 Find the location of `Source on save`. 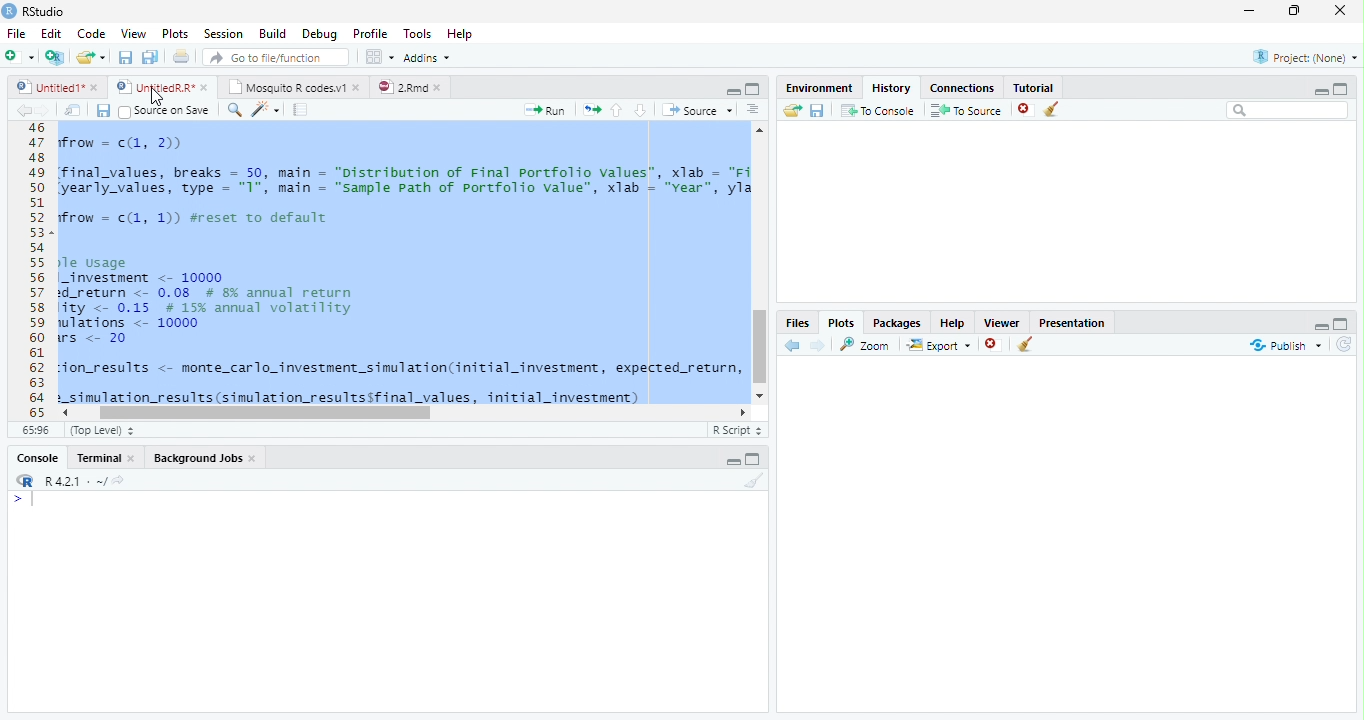

Source on save is located at coordinates (166, 111).